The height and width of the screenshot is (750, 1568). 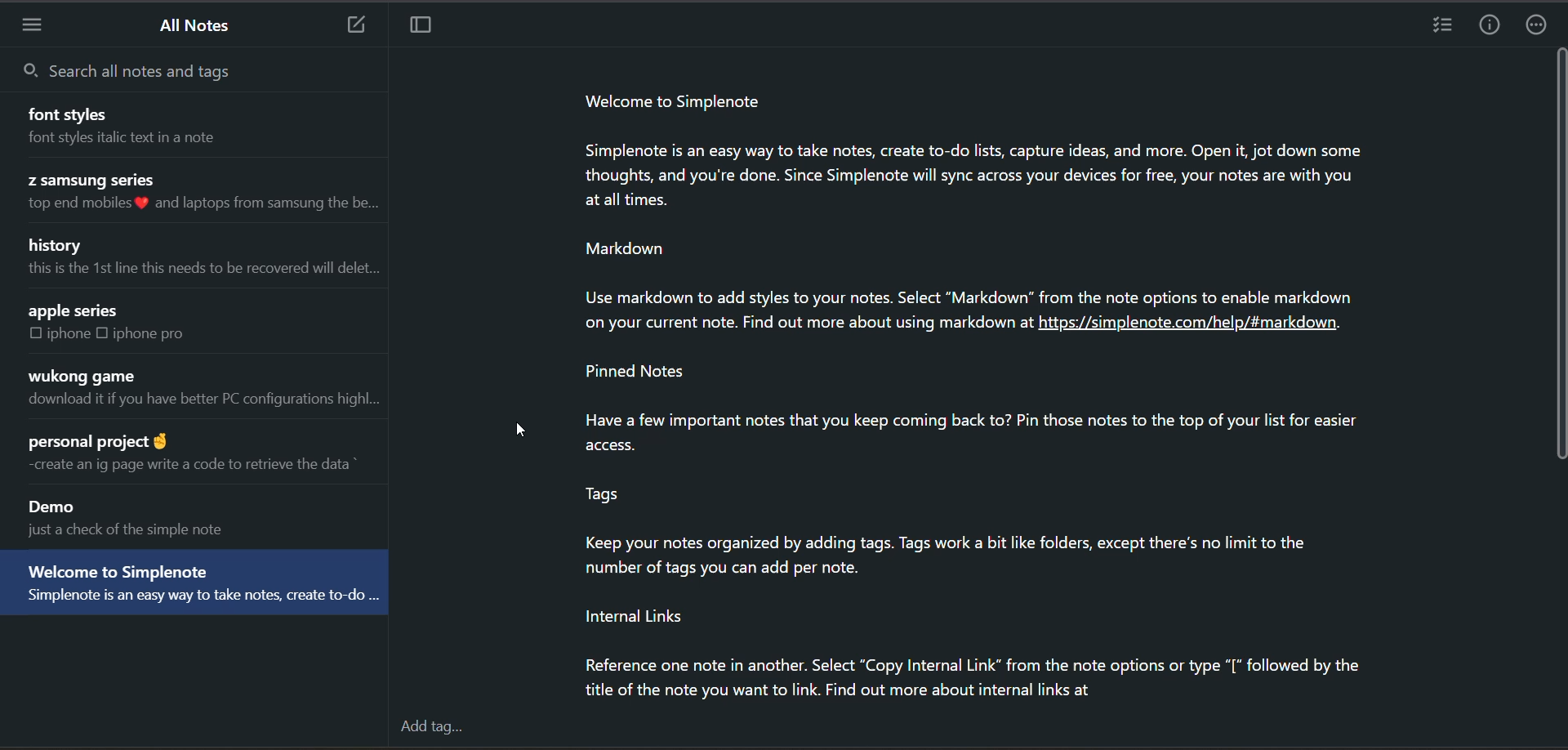 What do you see at coordinates (177, 73) in the screenshot?
I see `search` at bounding box center [177, 73].